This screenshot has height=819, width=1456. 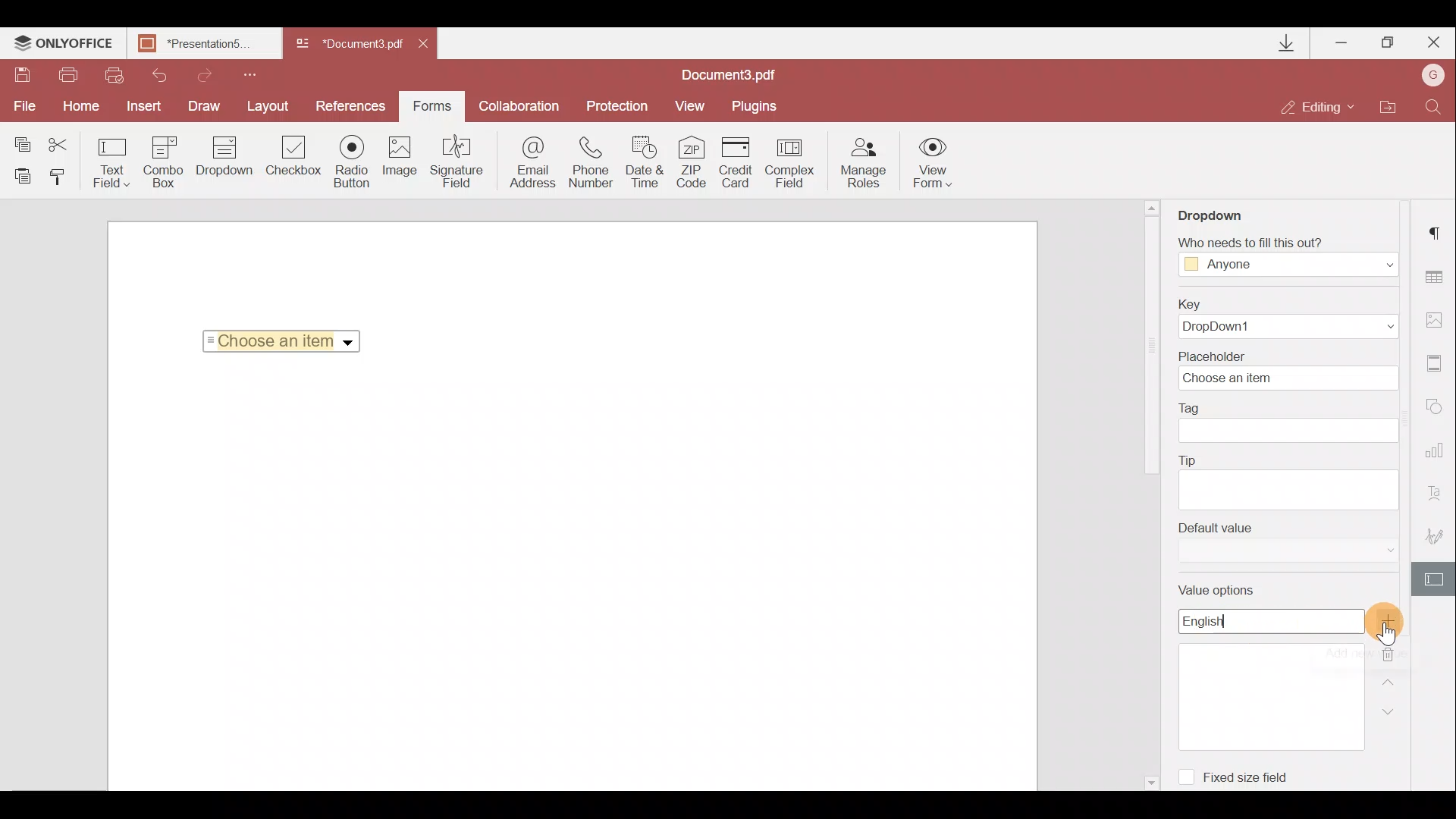 What do you see at coordinates (62, 176) in the screenshot?
I see `Copy style` at bounding box center [62, 176].